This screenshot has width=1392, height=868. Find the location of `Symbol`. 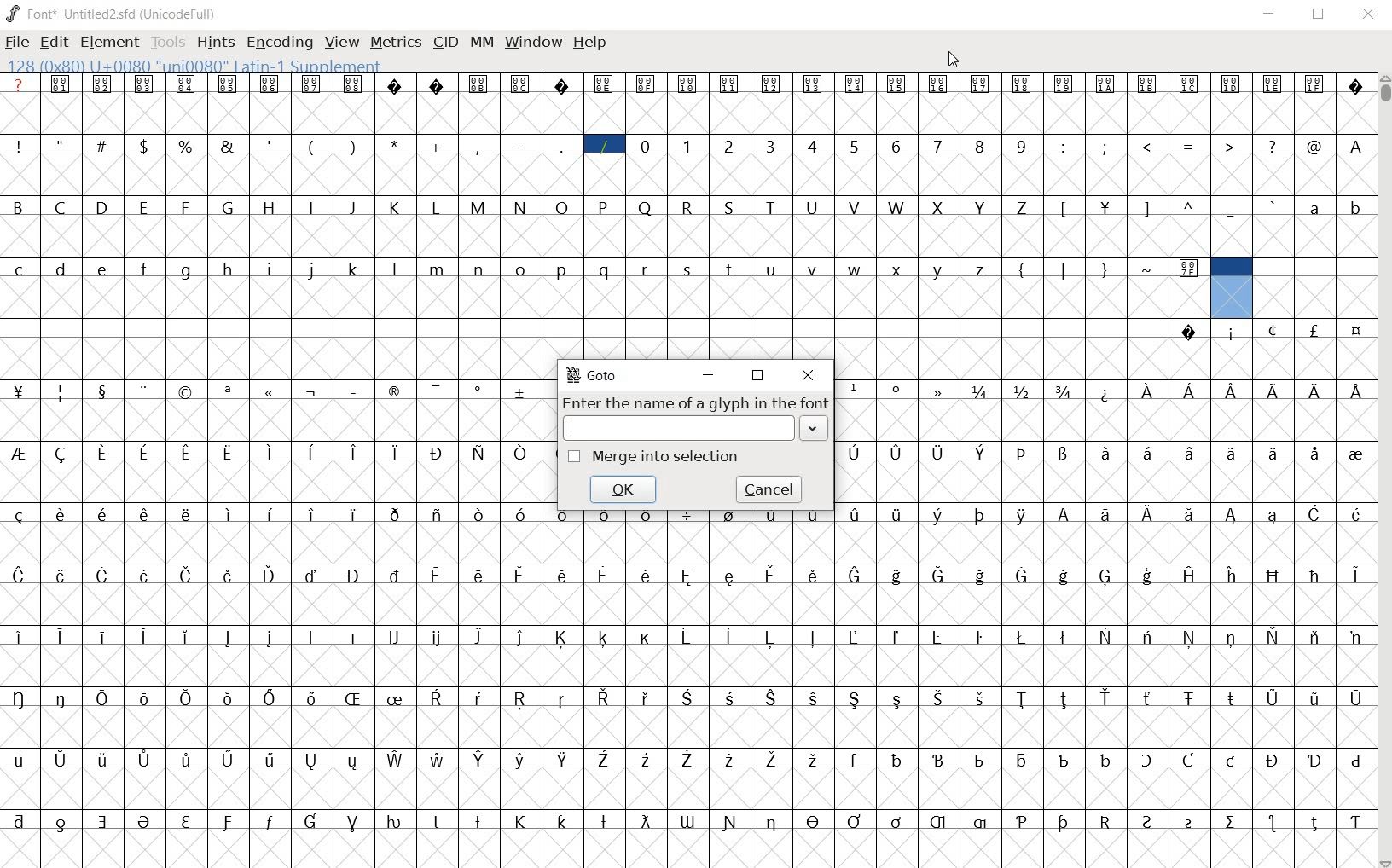

Symbol is located at coordinates (896, 697).